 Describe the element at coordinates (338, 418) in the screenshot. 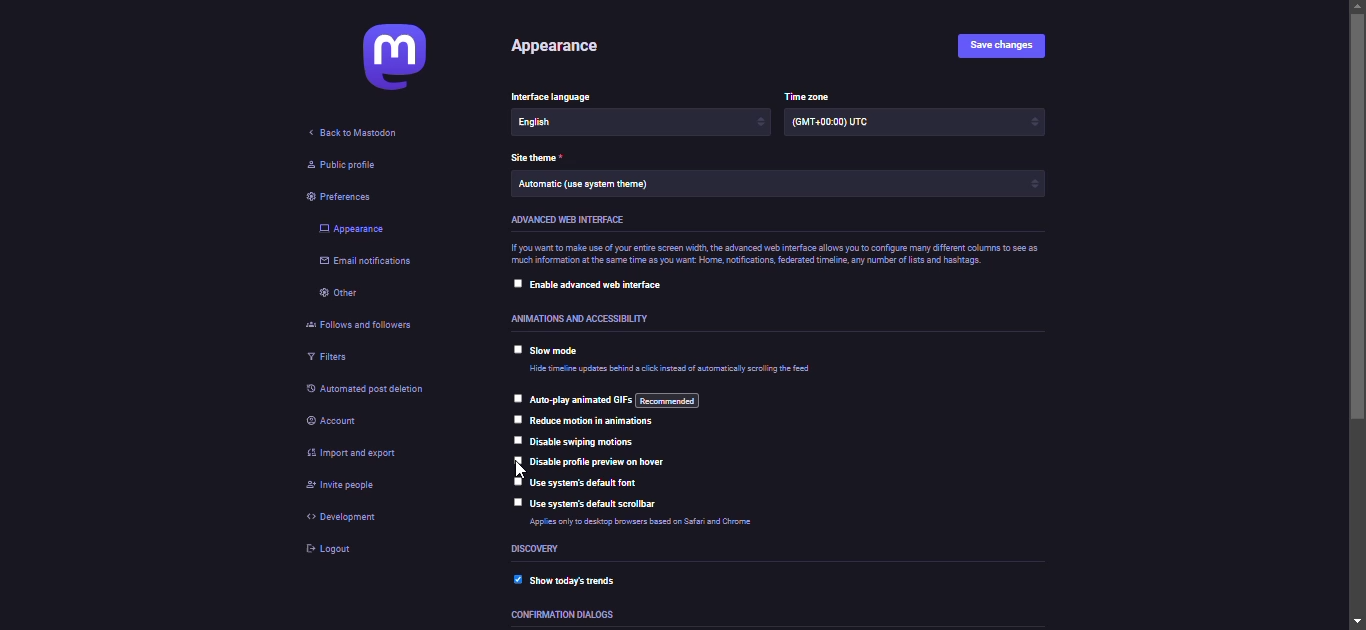

I see `account` at that location.